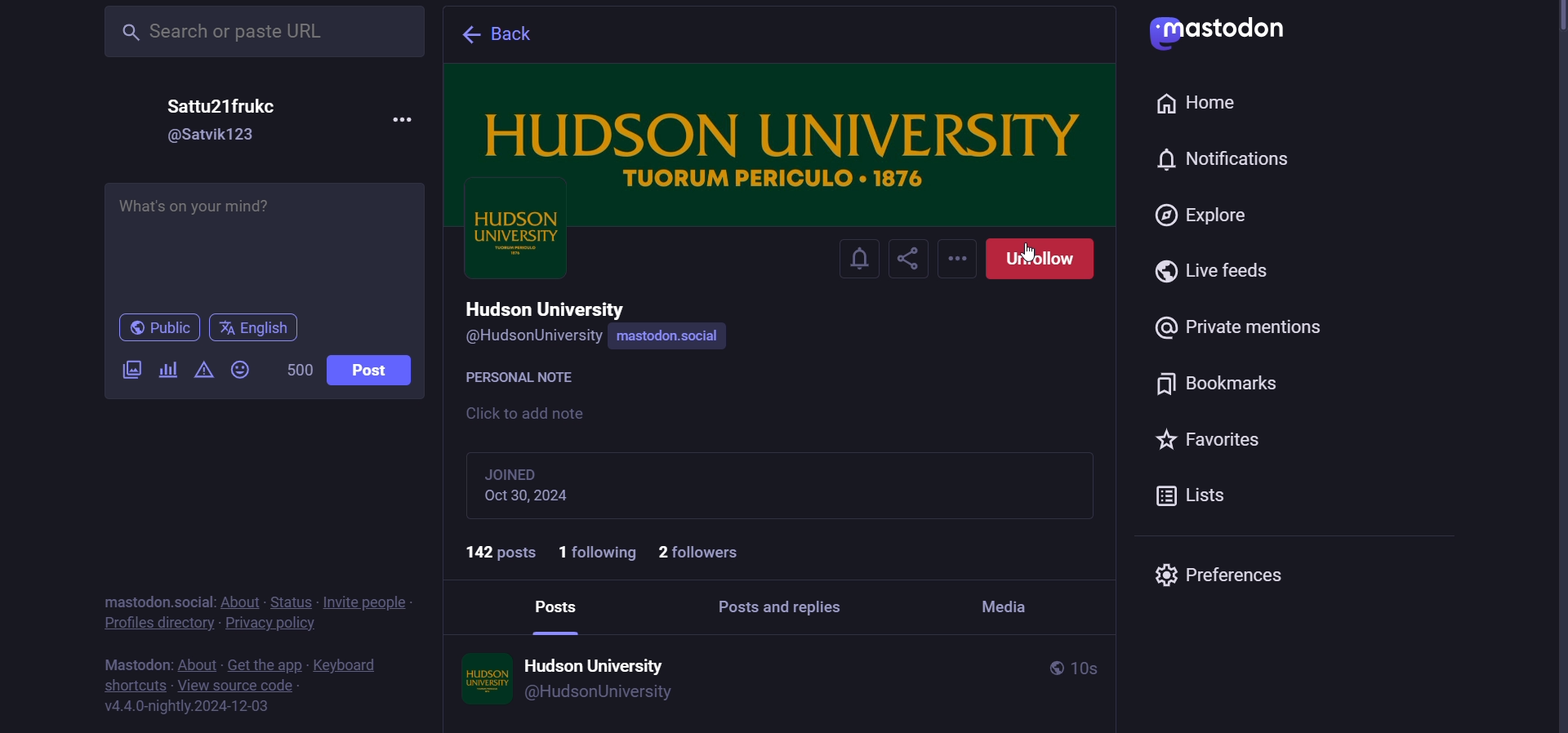  I want to click on post, so click(377, 374).